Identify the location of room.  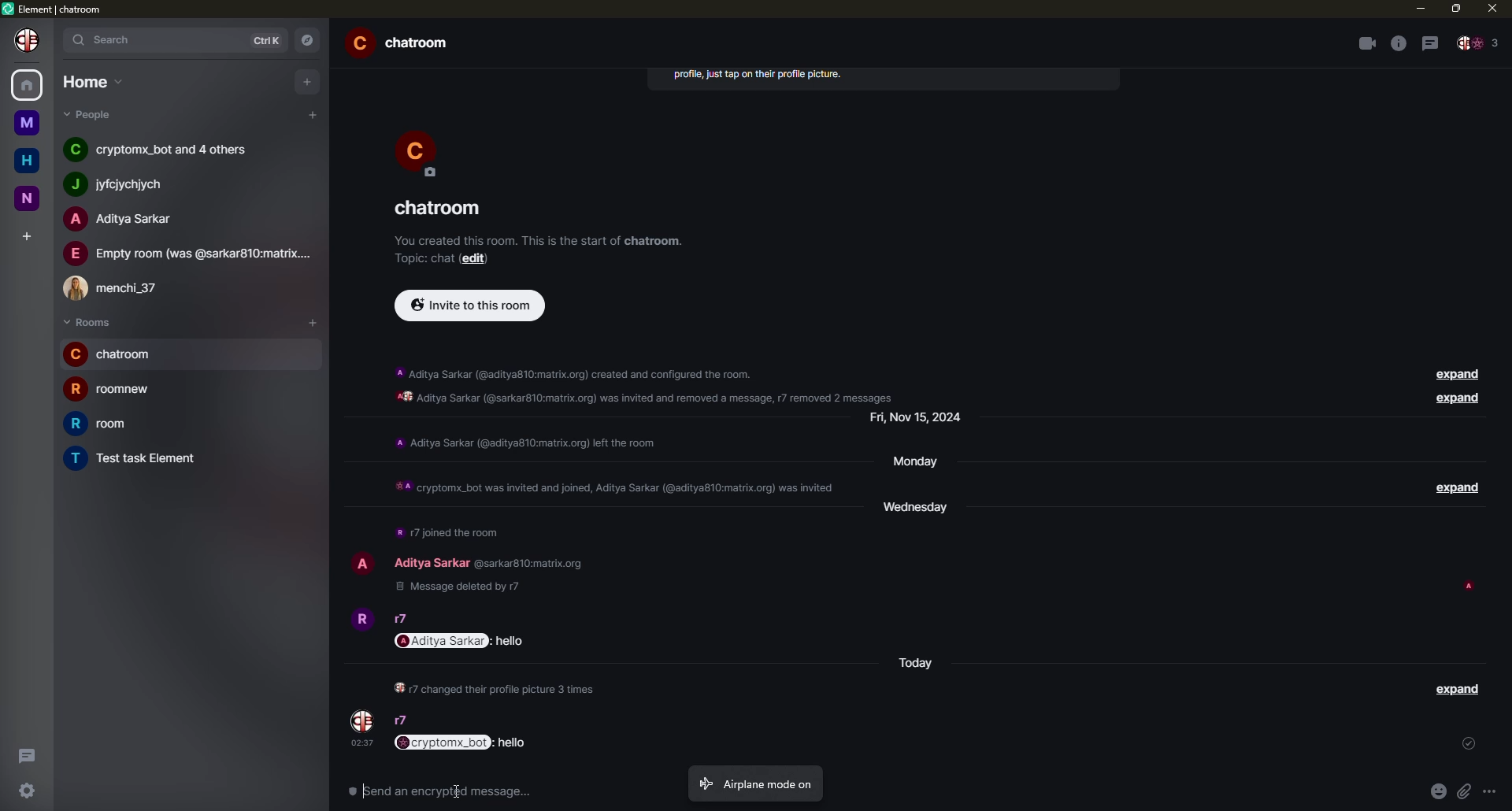
(139, 458).